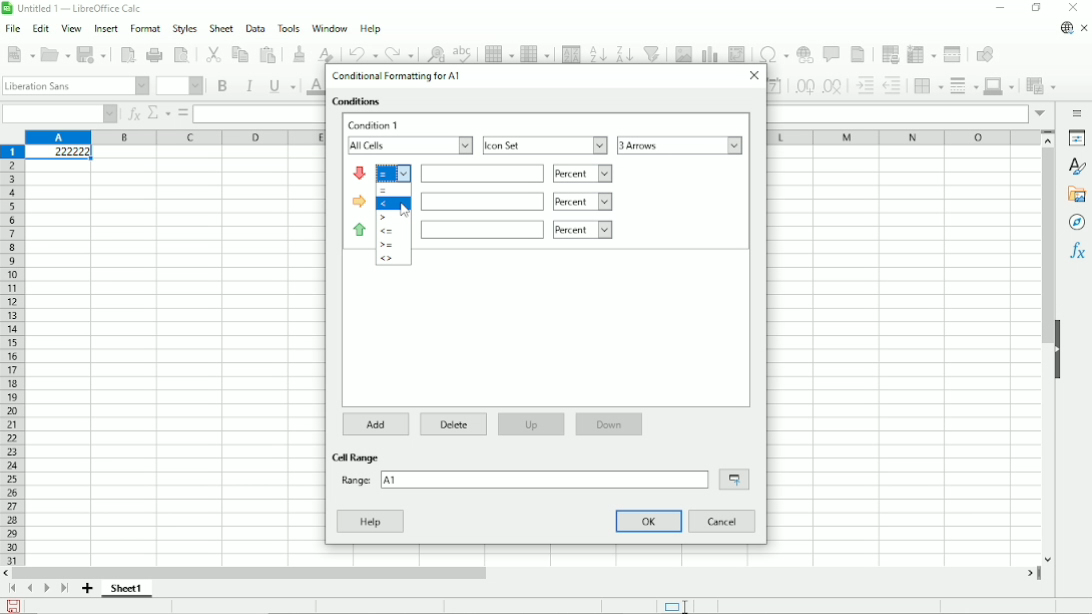  I want to click on Horizontal scrollbar, so click(254, 572).